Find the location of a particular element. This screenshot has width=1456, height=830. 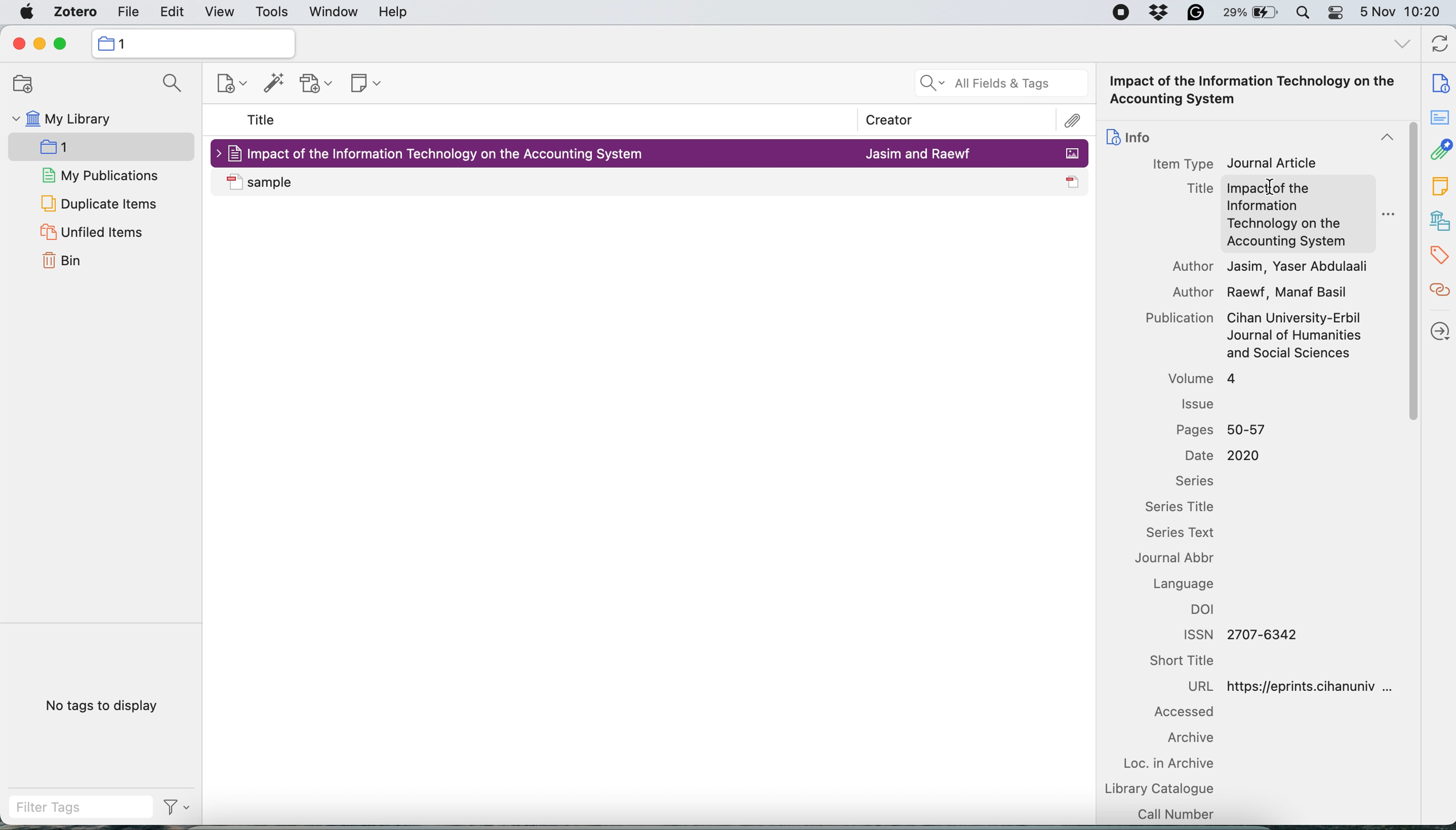

search is located at coordinates (174, 83).